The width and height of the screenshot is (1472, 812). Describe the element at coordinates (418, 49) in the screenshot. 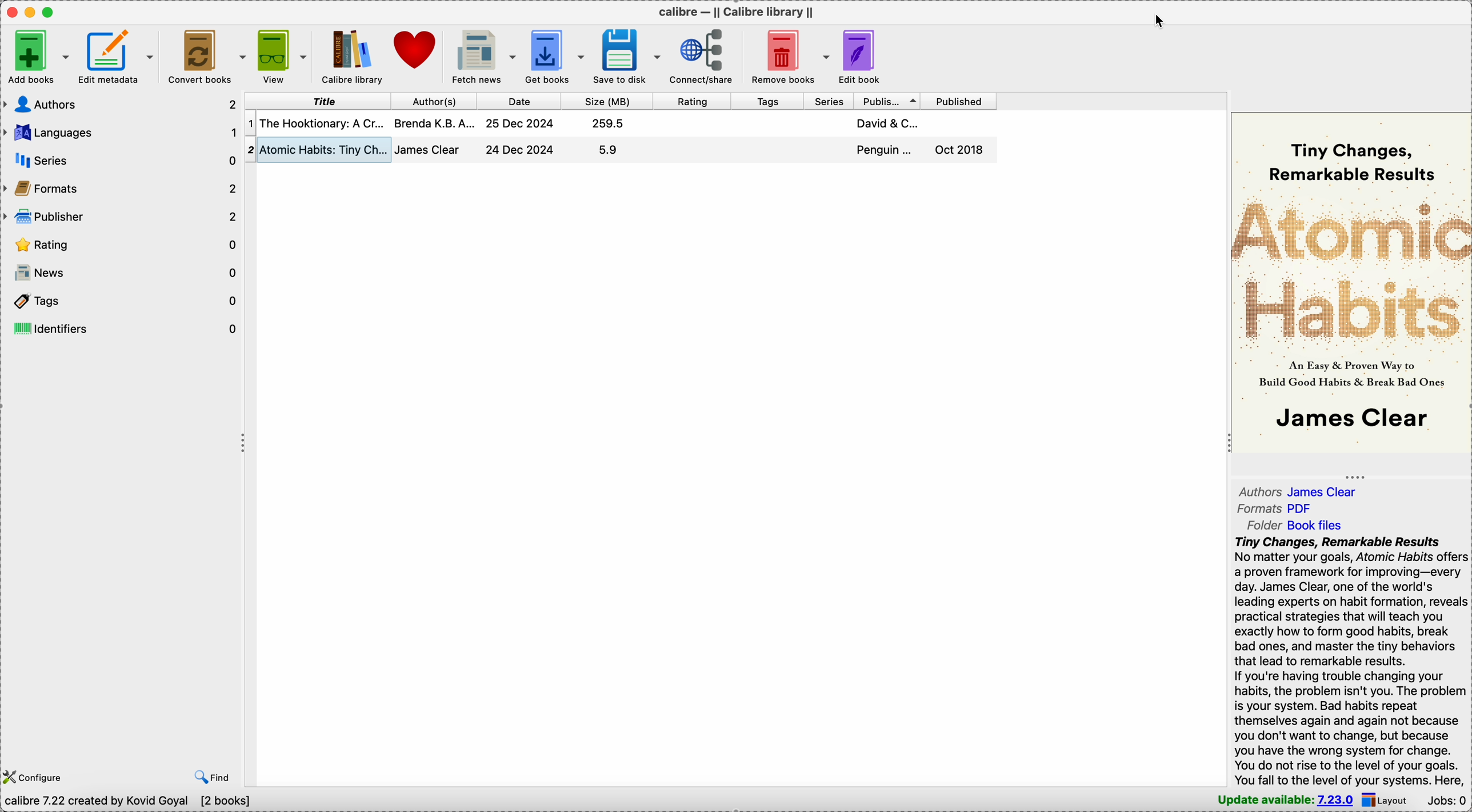

I see `donate` at that location.